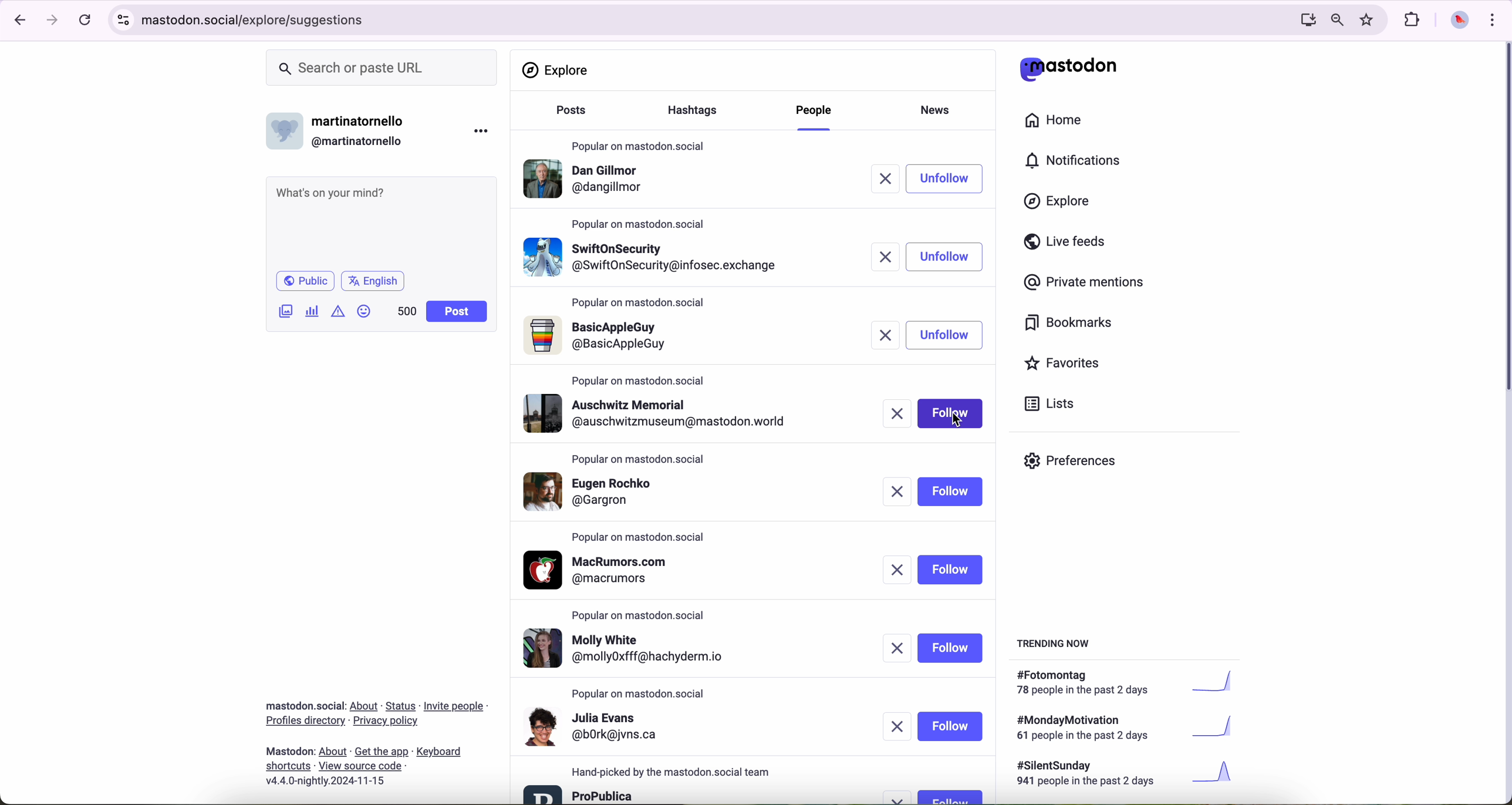  I want to click on click on follow, so click(953, 415).